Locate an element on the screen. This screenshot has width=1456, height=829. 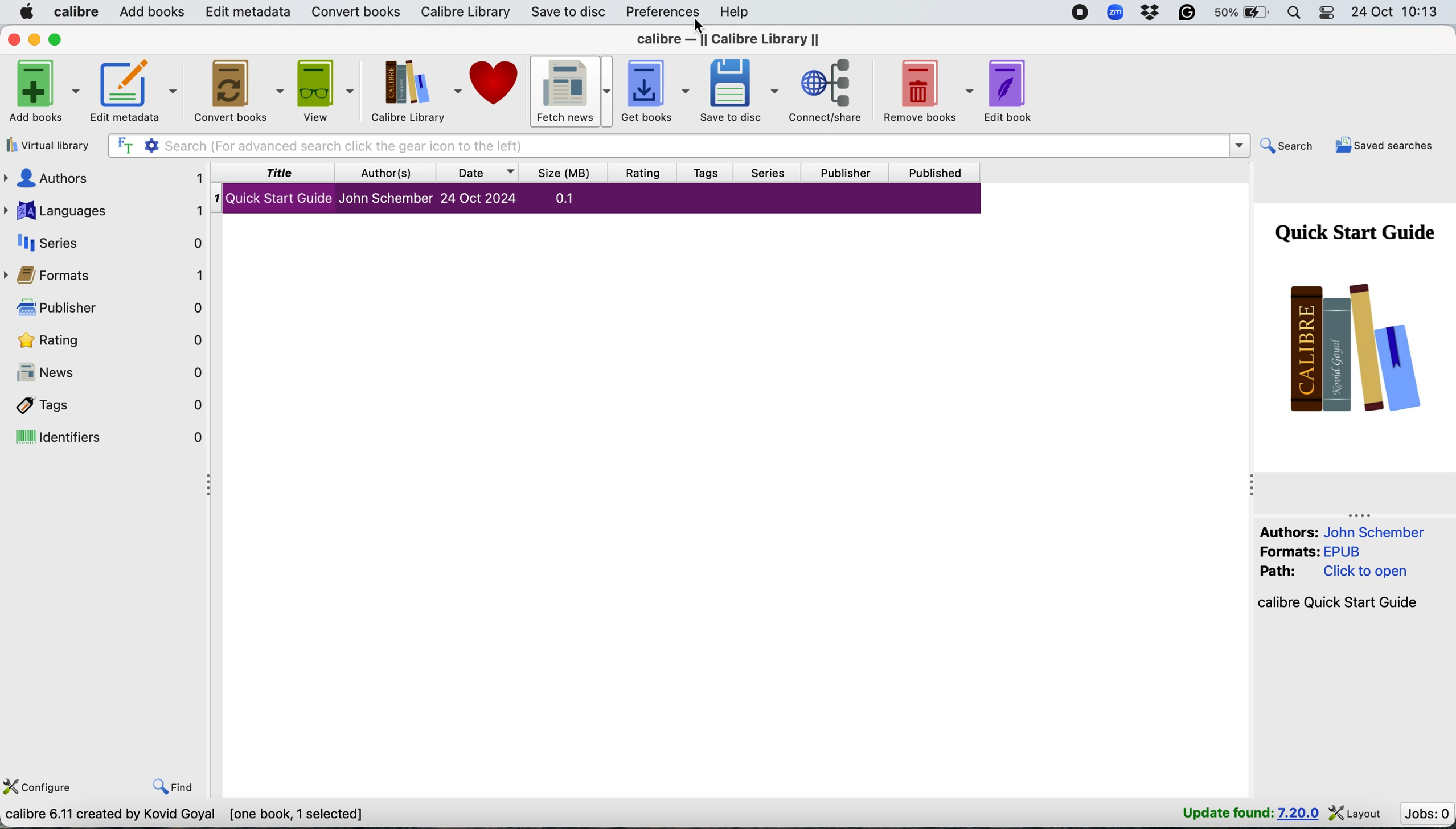
gl Quick Start Guide John Schember 24 Oct 2024 0.1 is located at coordinates (413, 200).